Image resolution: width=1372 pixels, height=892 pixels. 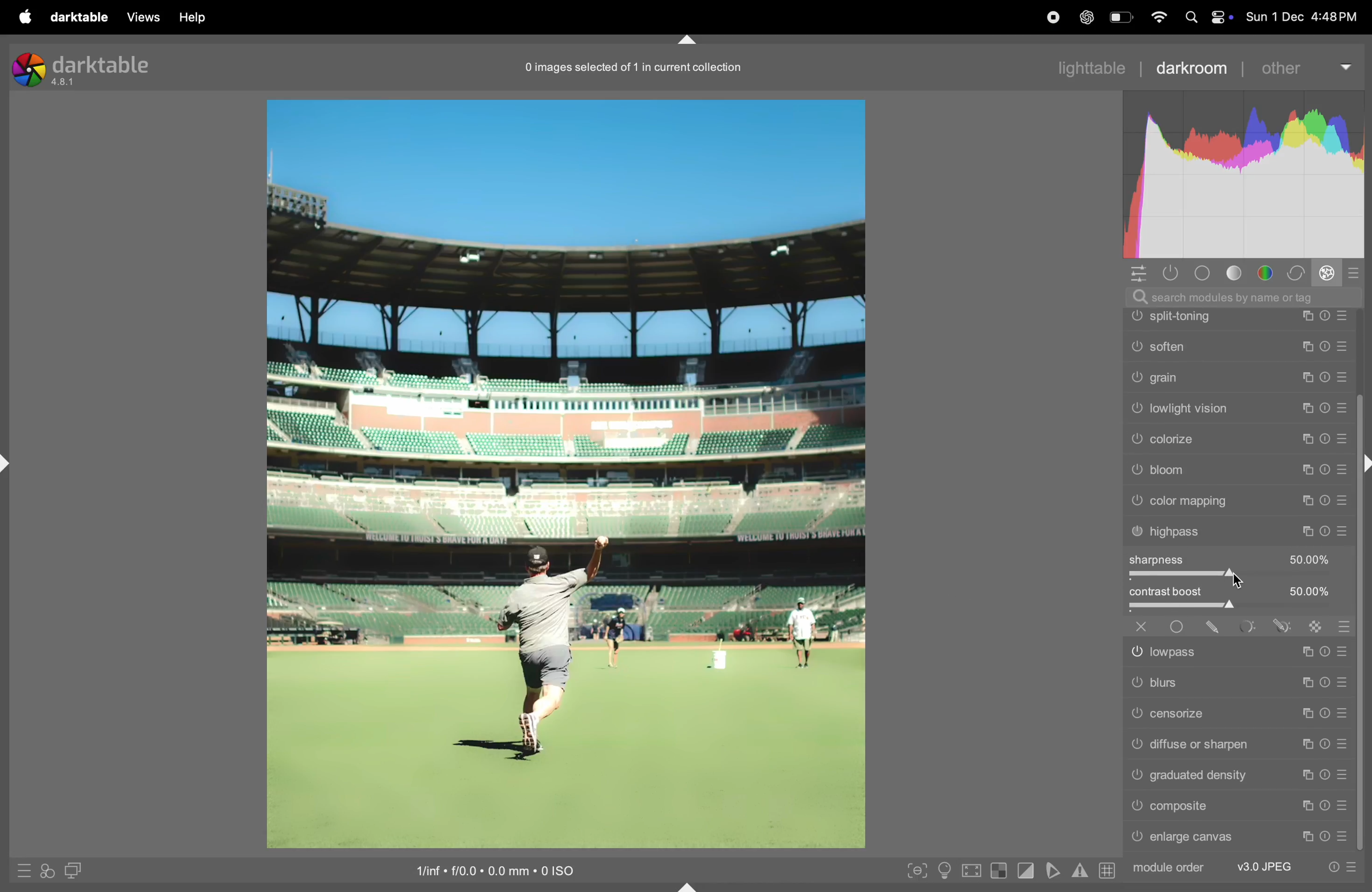 I want to click on record, so click(x=1046, y=17).